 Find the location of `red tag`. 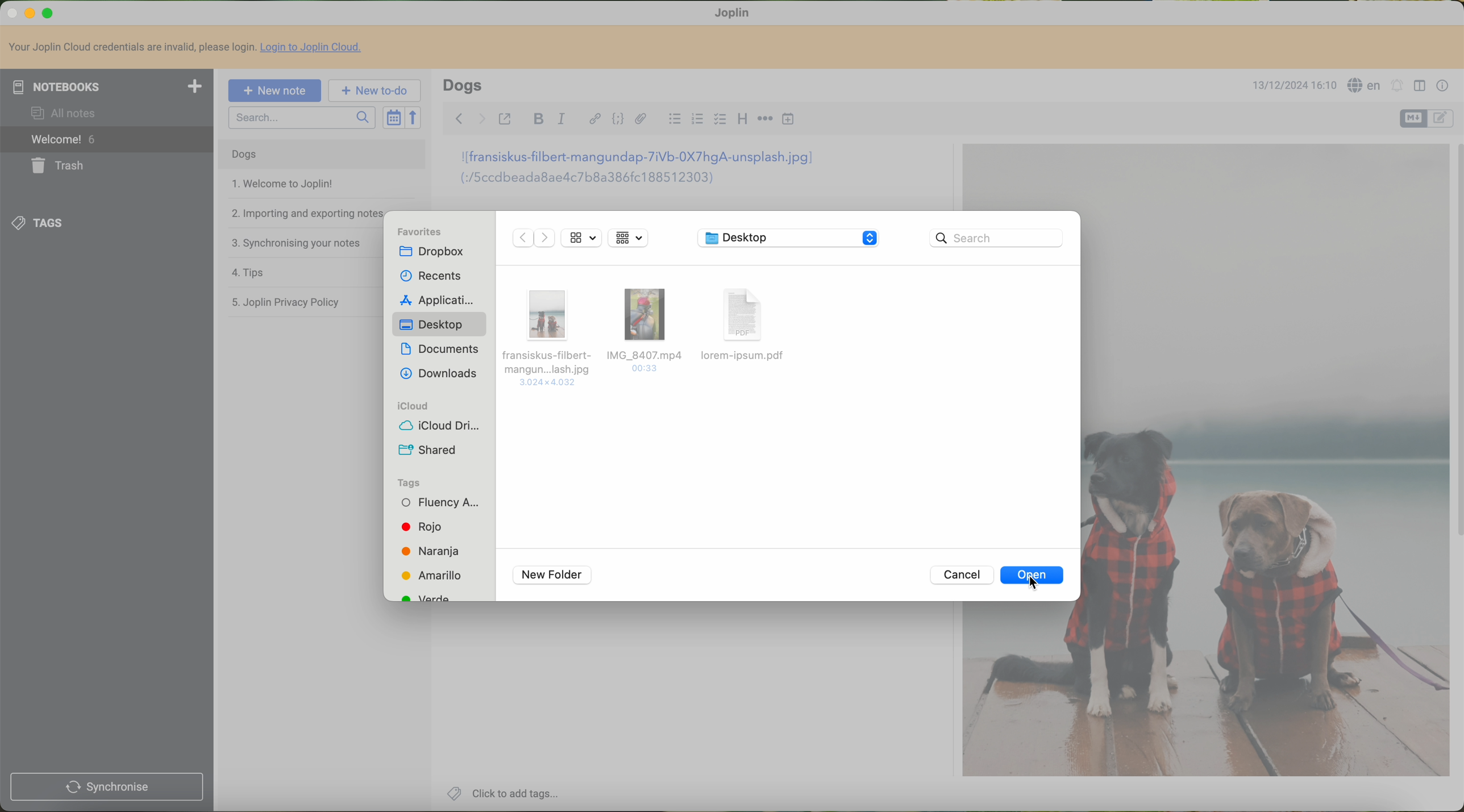

red tag is located at coordinates (421, 527).